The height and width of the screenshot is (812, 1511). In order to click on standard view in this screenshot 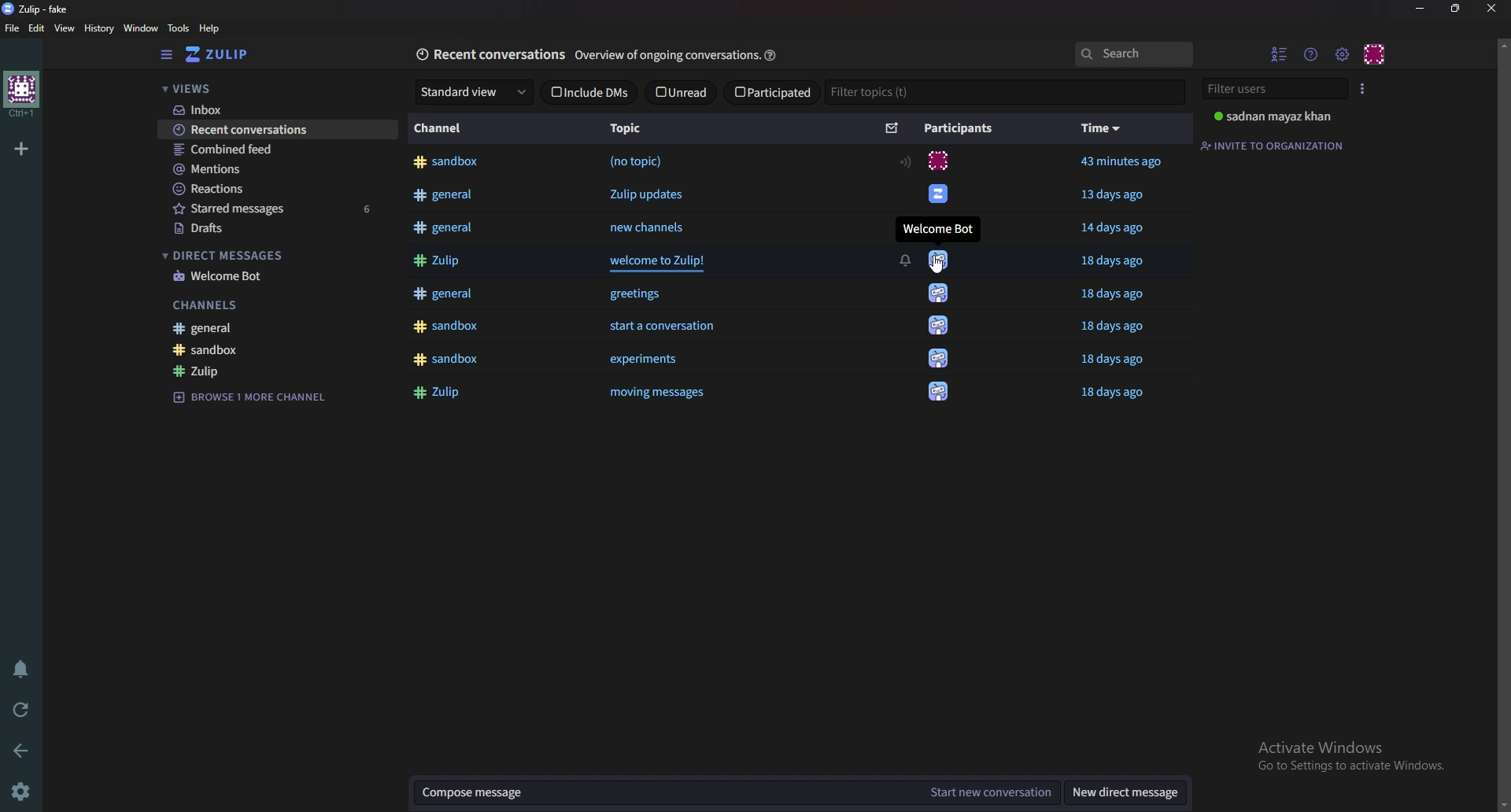, I will do `click(475, 93)`.